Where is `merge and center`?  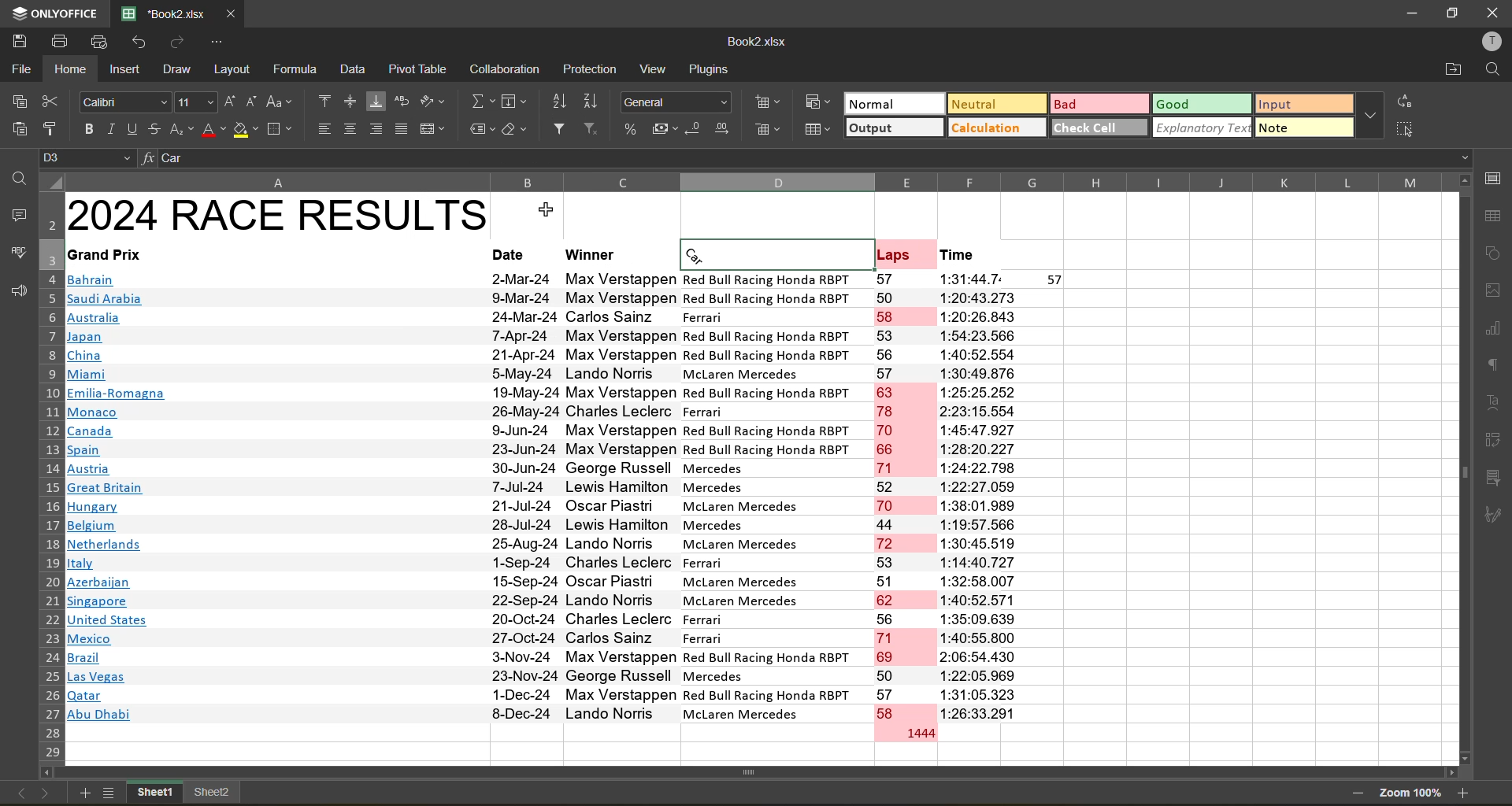 merge and center is located at coordinates (434, 130).